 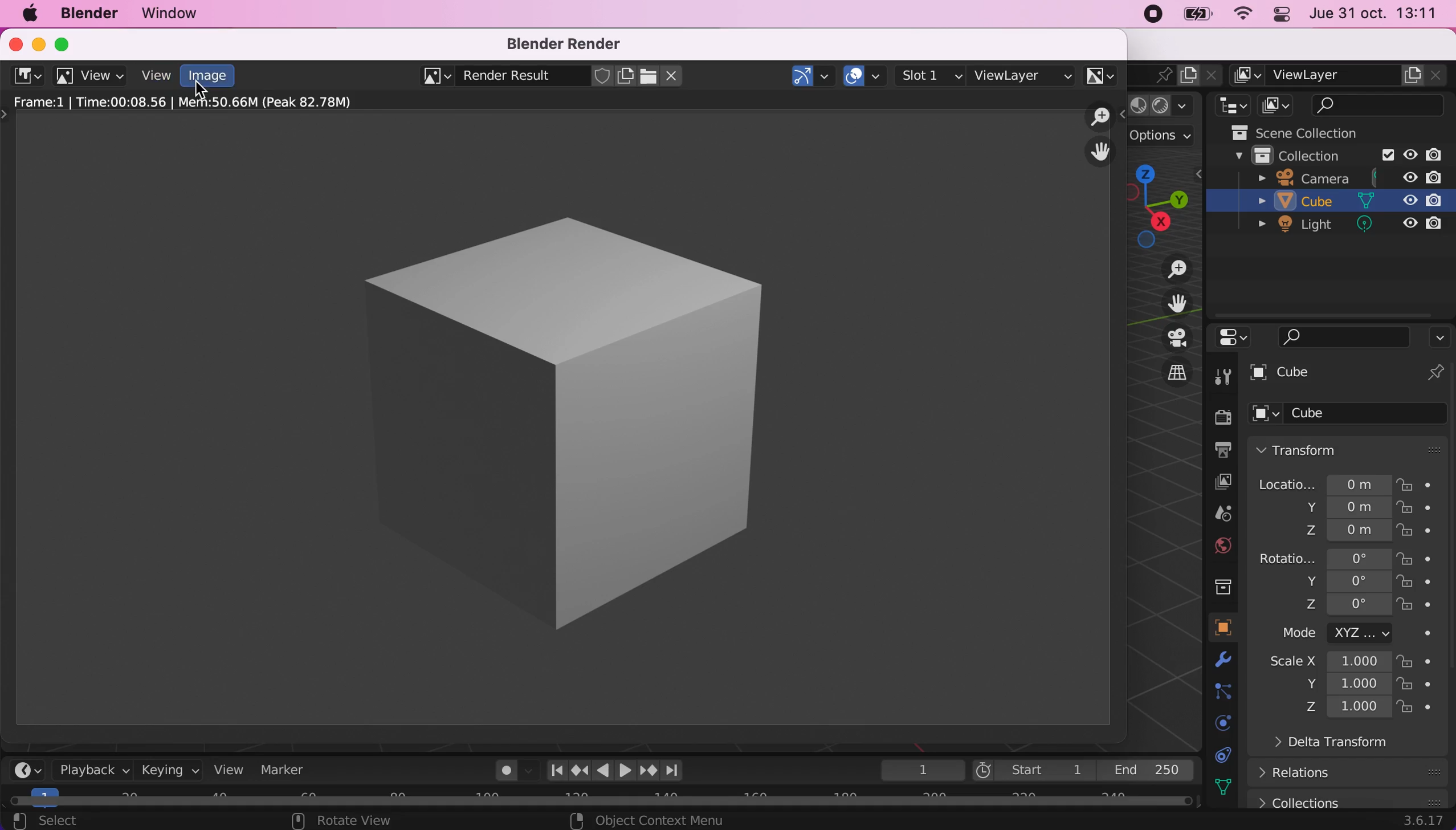 I want to click on physics, so click(x=1229, y=663).